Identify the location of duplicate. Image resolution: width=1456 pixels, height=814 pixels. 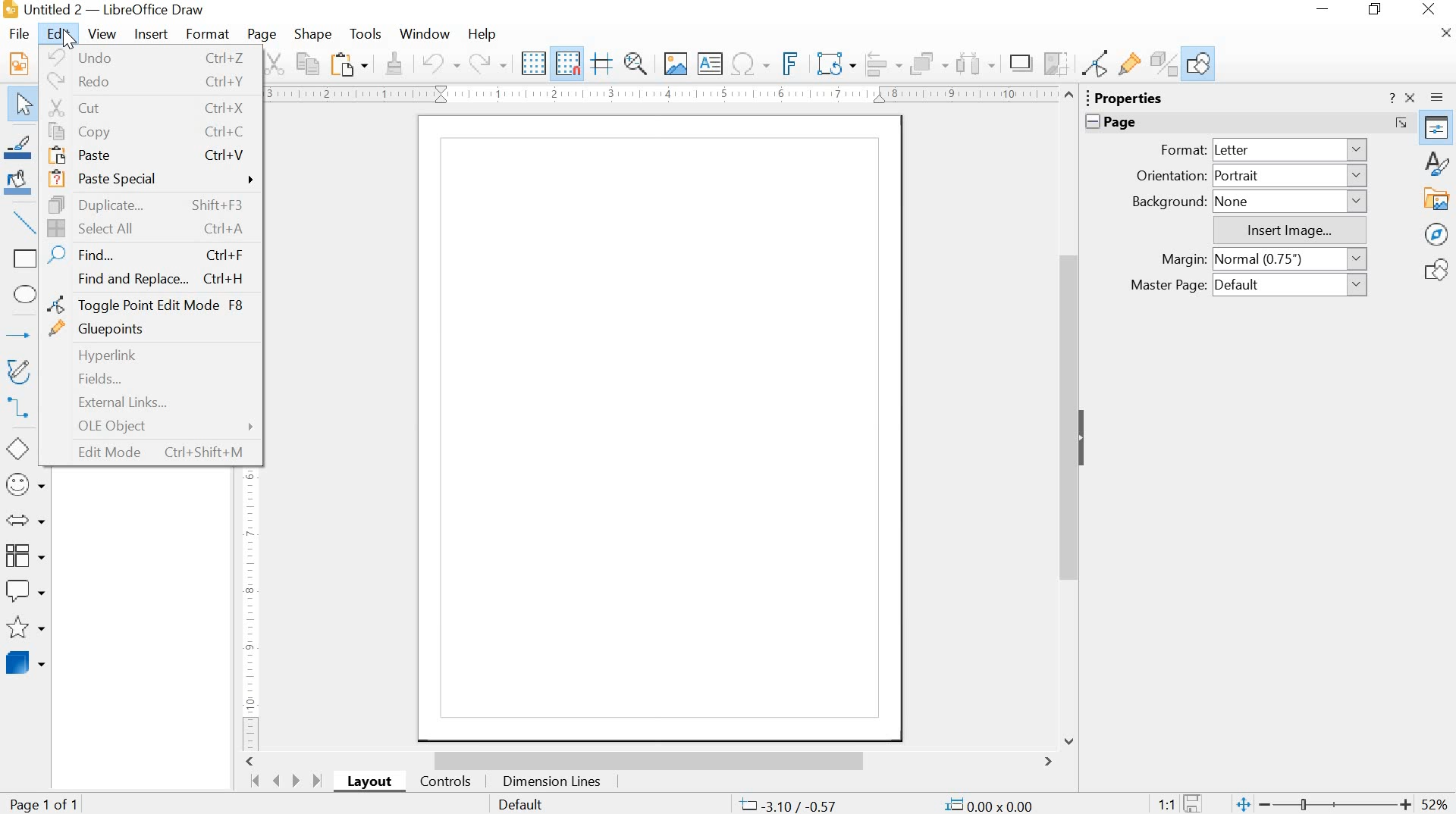
(151, 205).